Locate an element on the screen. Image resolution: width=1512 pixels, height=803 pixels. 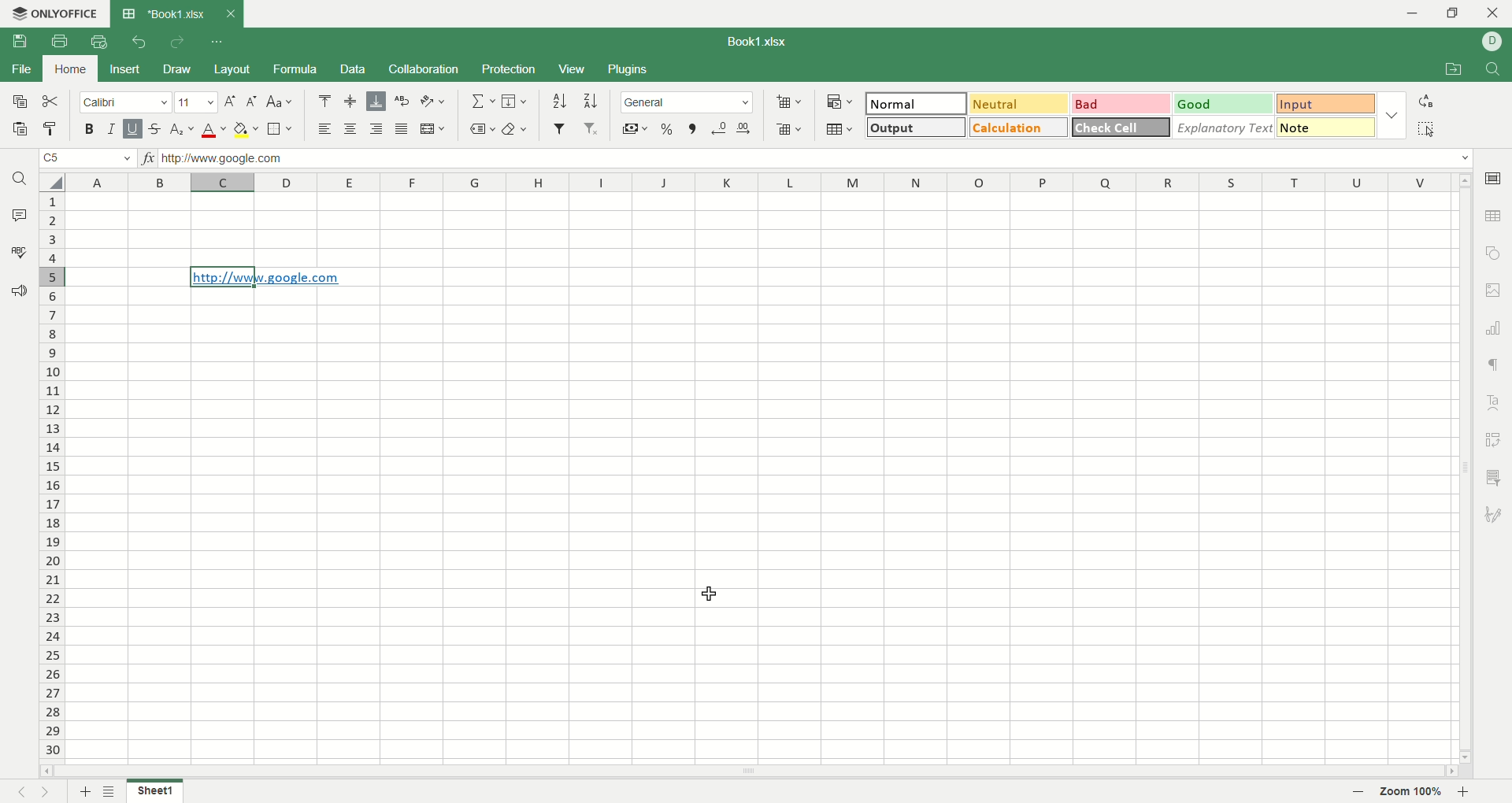
quick access toolbar is located at coordinates (218, 43).